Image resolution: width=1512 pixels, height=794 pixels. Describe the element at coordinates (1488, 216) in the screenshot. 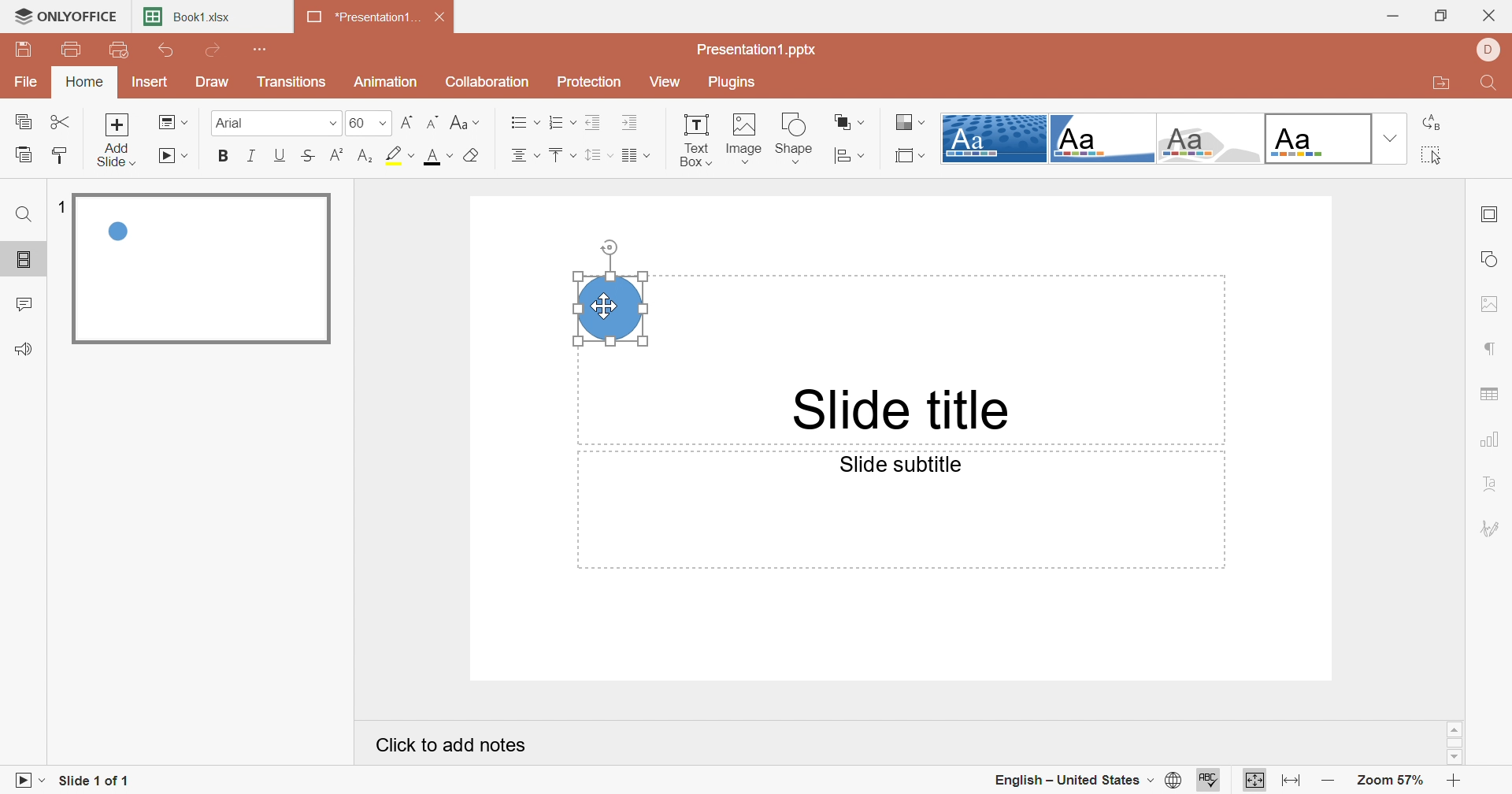

I see `Slide settings` at that location.